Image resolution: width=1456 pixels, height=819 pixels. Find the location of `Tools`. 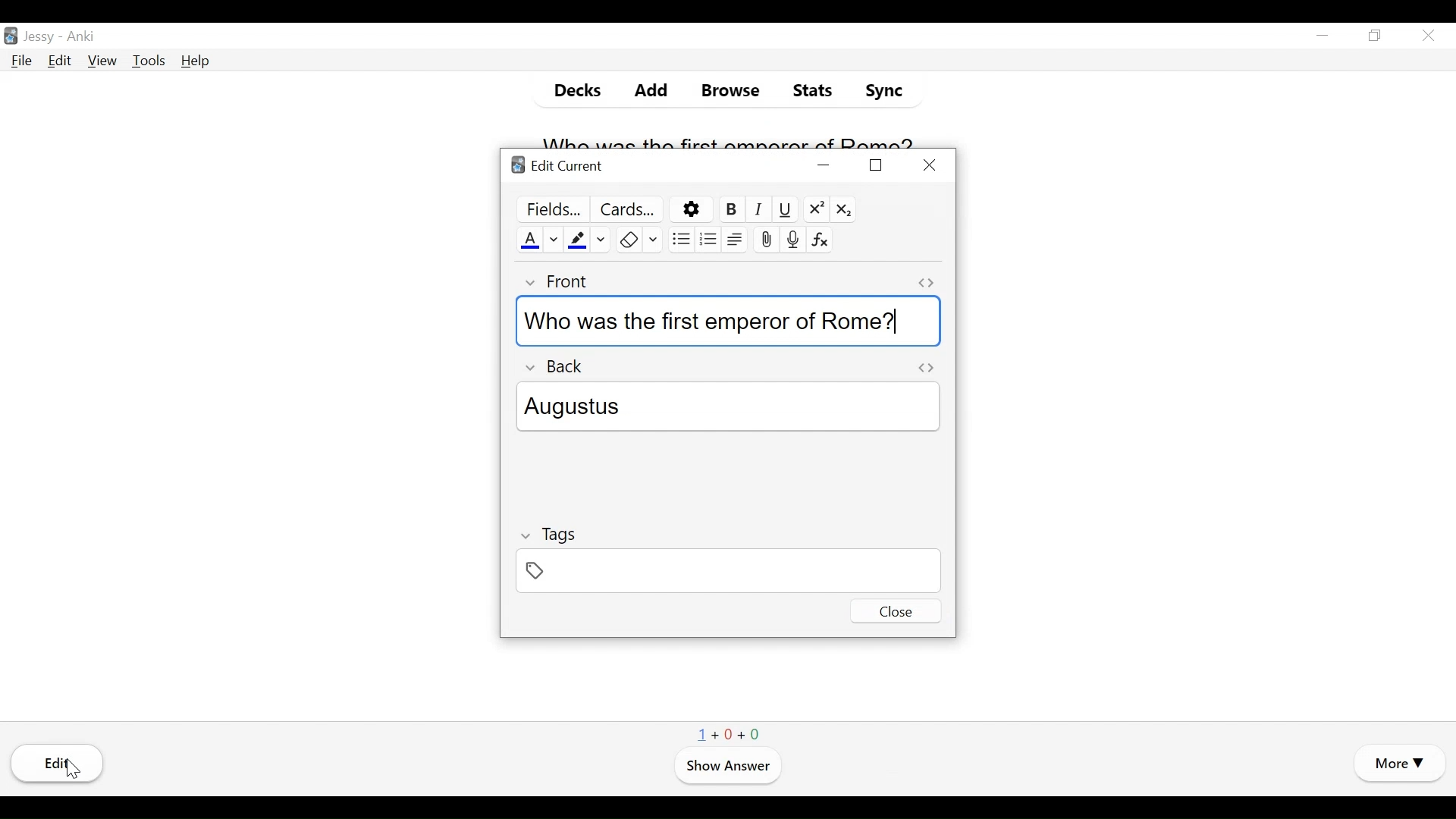

Tools is located at coordinates (149, 61).